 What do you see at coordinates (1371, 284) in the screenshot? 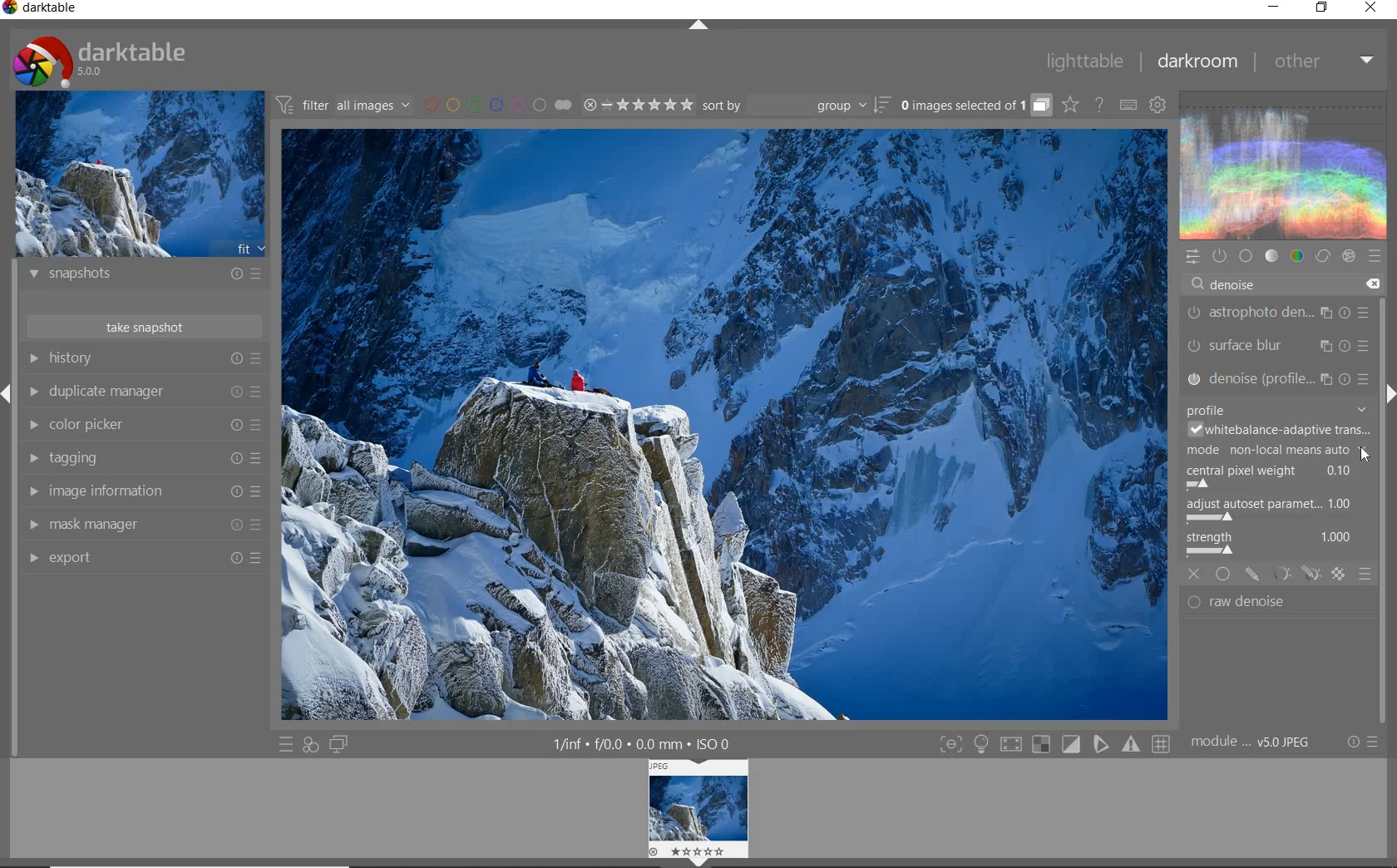
I see `delete` at bounding box center [1371, 284].